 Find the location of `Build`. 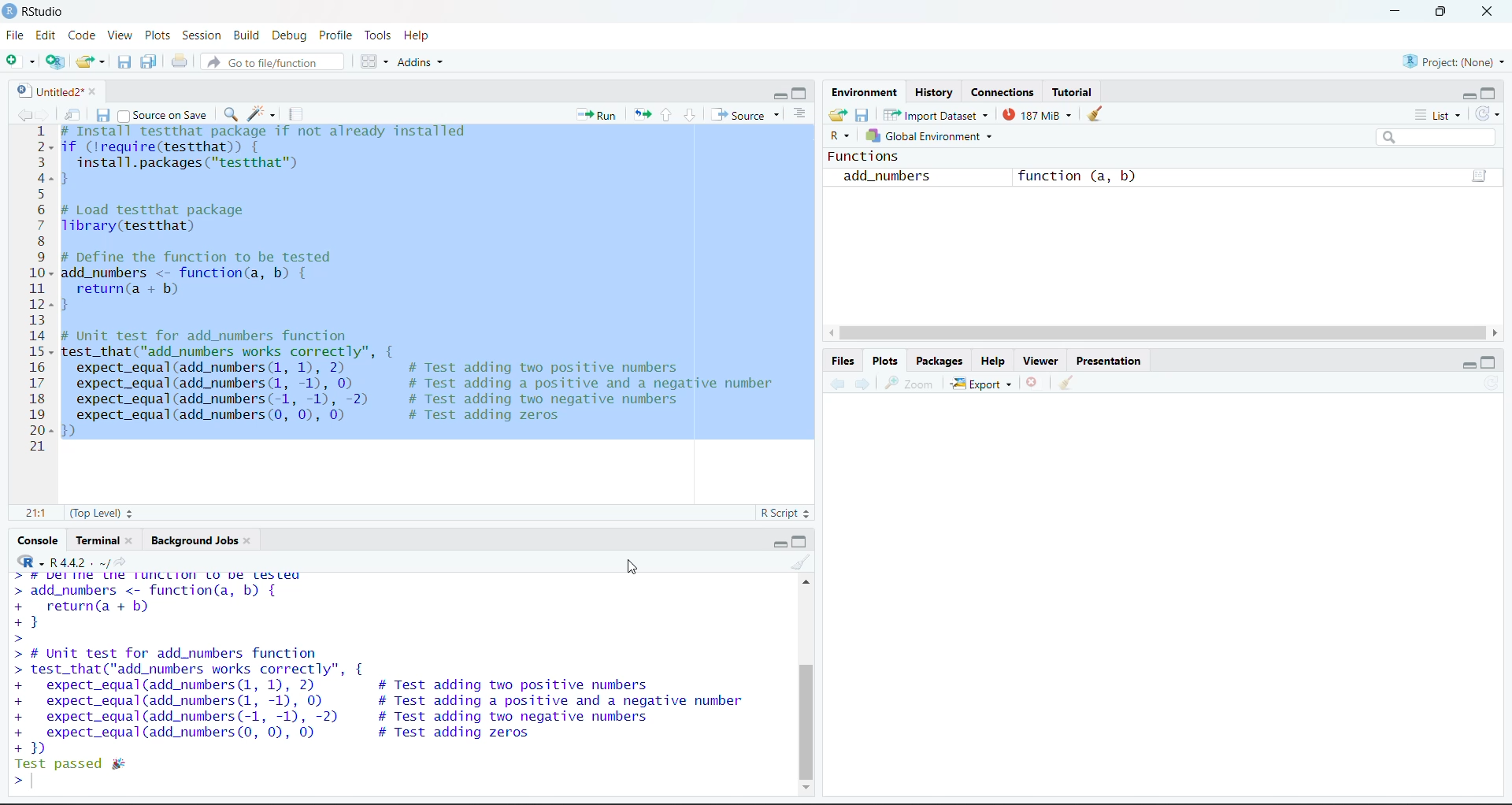

Build is located at coordinates (246, 35).